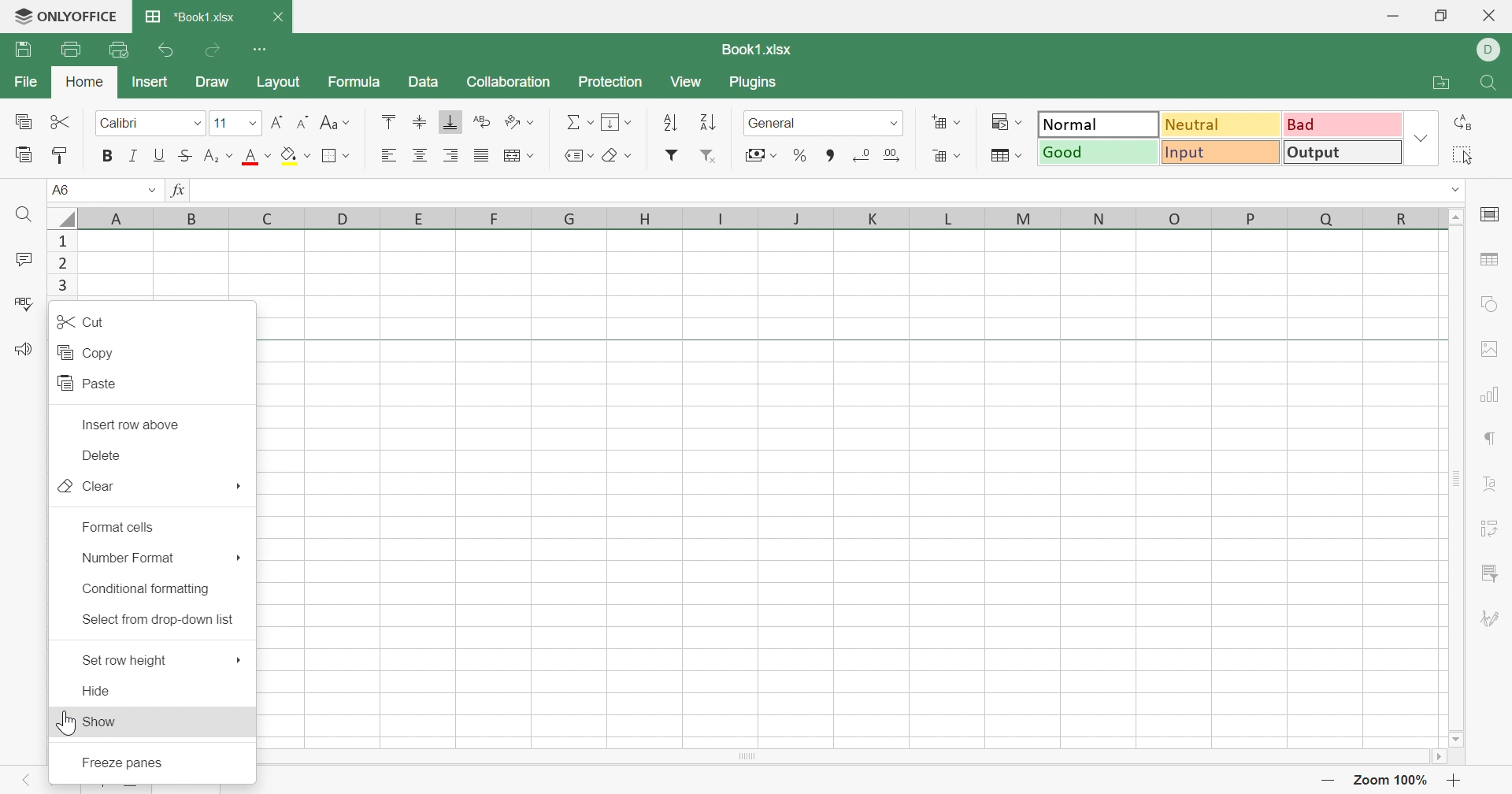 This screenshot has height=794, width=1512. I want to click on Merge and center, so click(518, 156).